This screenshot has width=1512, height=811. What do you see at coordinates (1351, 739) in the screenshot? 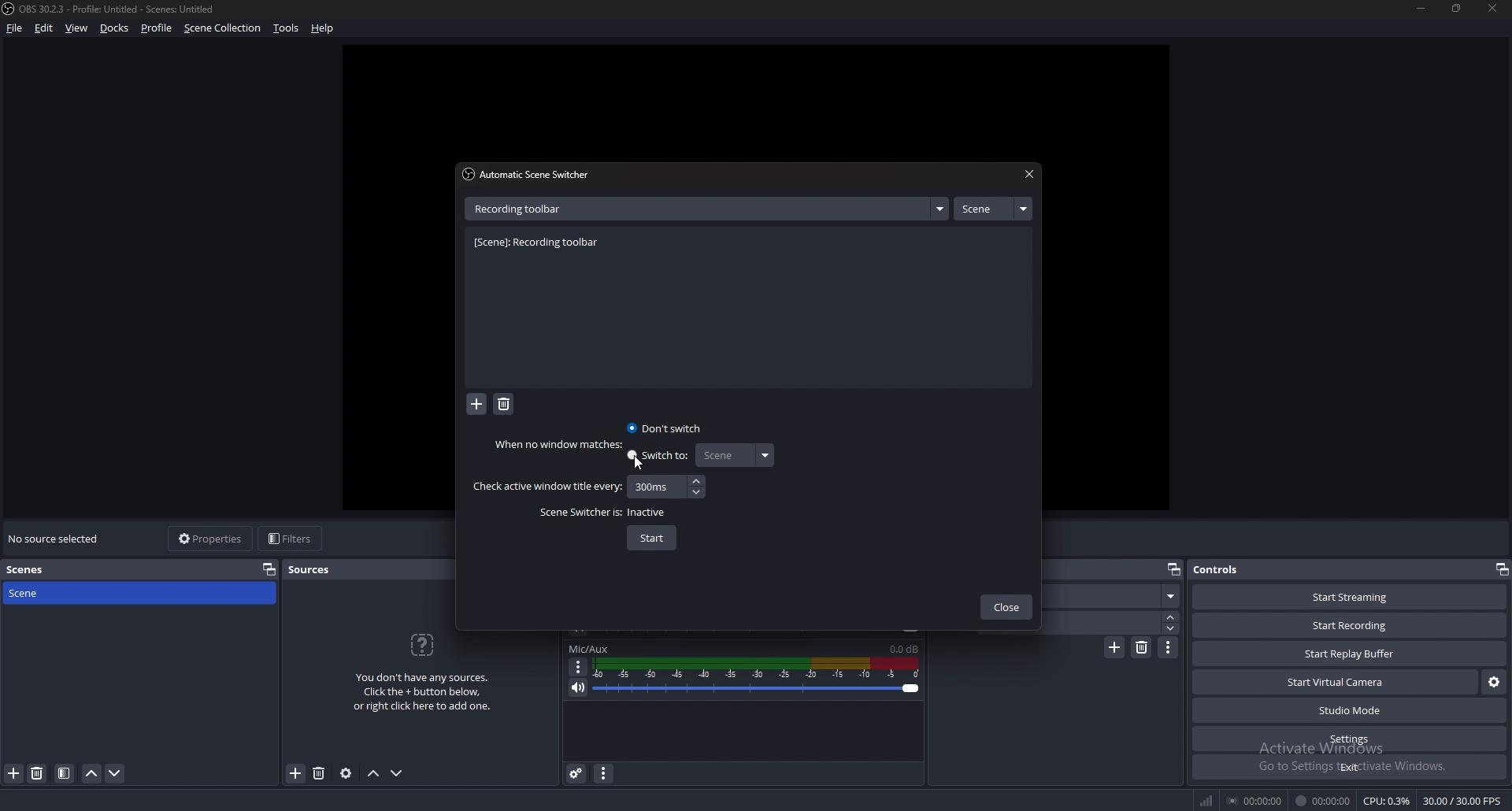
I see `settings` at bounding box center [1351, 739].